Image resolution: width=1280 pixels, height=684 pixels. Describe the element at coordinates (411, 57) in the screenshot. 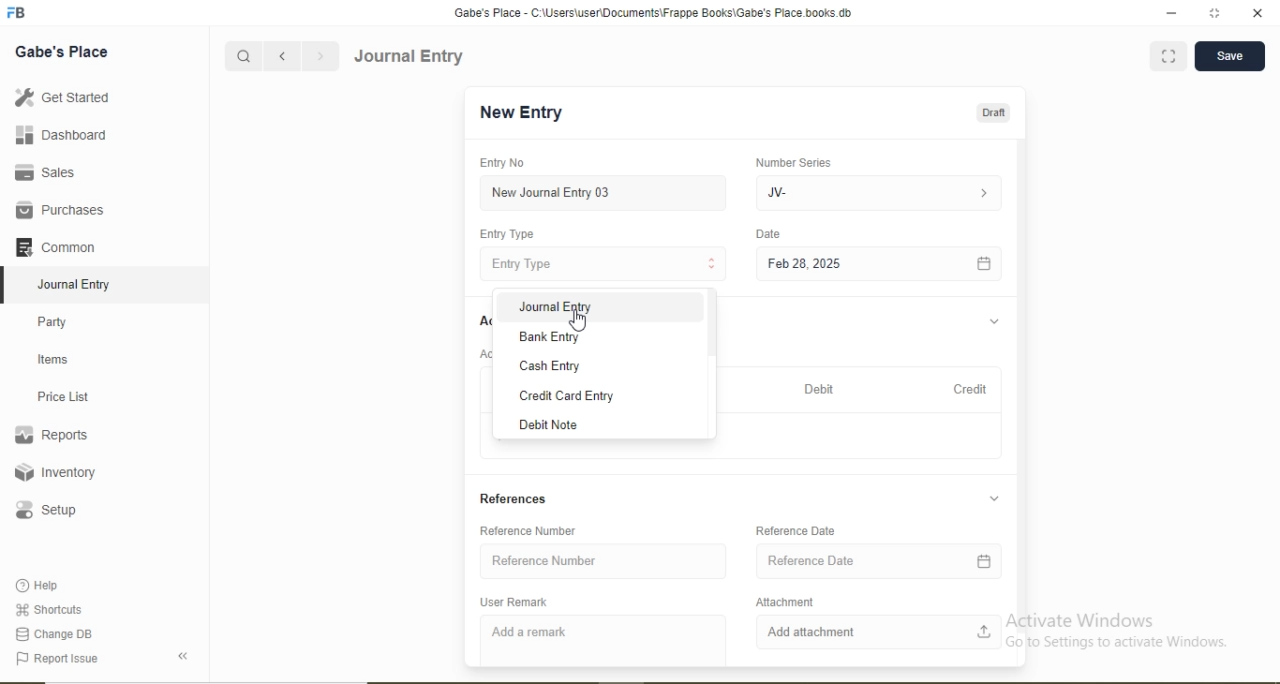

I see `Journal Entry` at that location.